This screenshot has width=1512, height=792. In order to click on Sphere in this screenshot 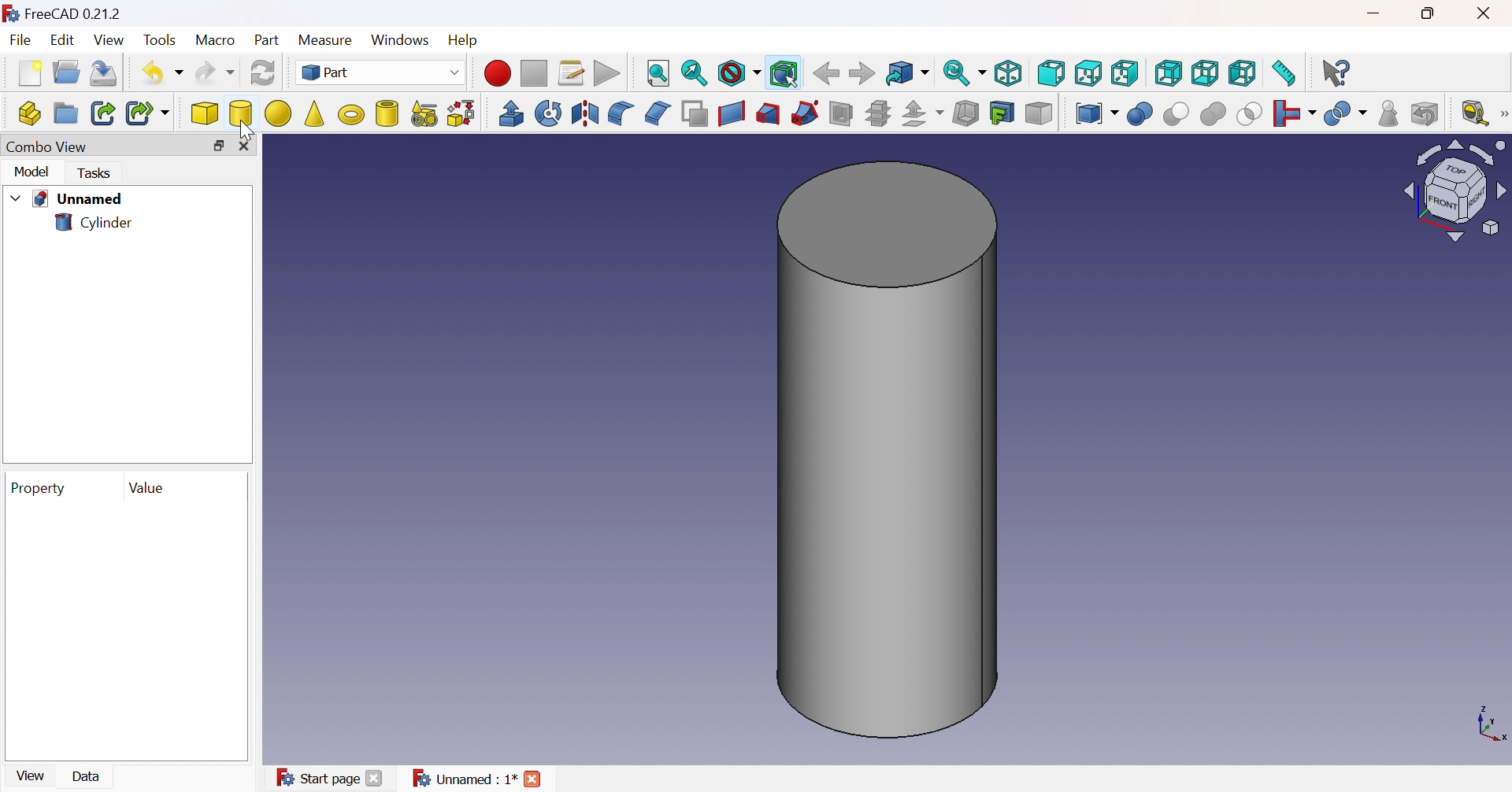, I will do `click(278, 113)`.